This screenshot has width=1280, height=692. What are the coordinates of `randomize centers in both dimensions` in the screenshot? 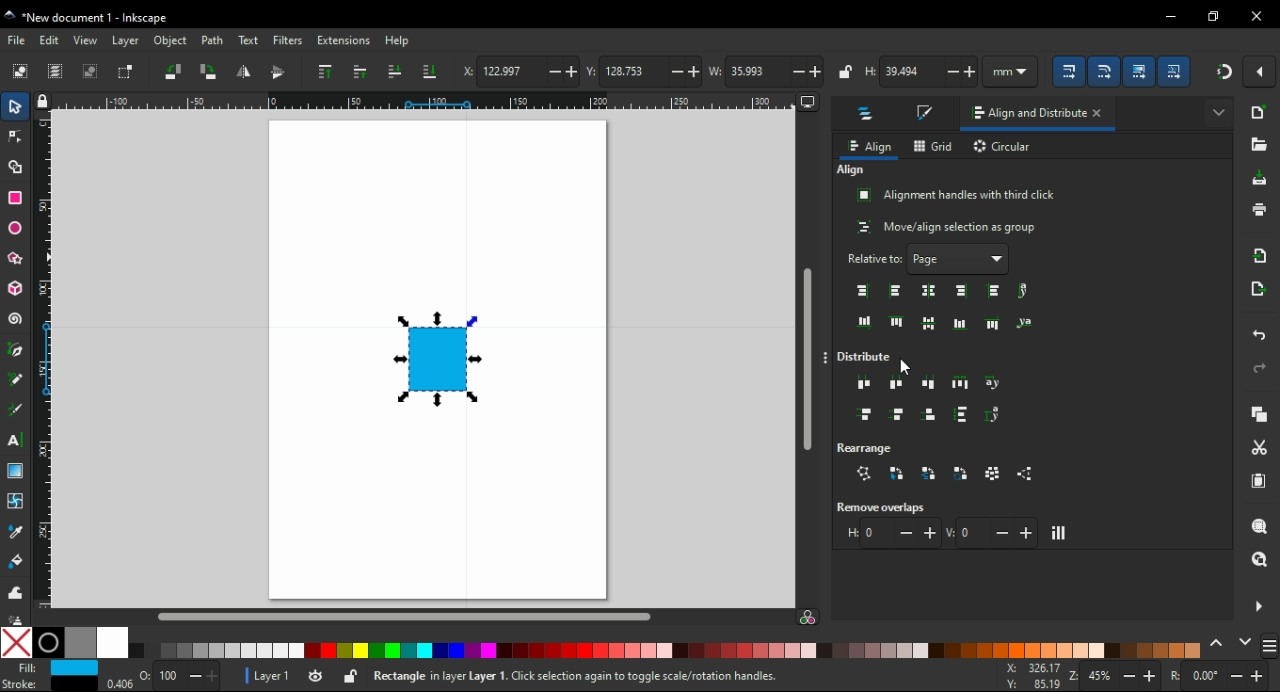 It's located at (994, 473).